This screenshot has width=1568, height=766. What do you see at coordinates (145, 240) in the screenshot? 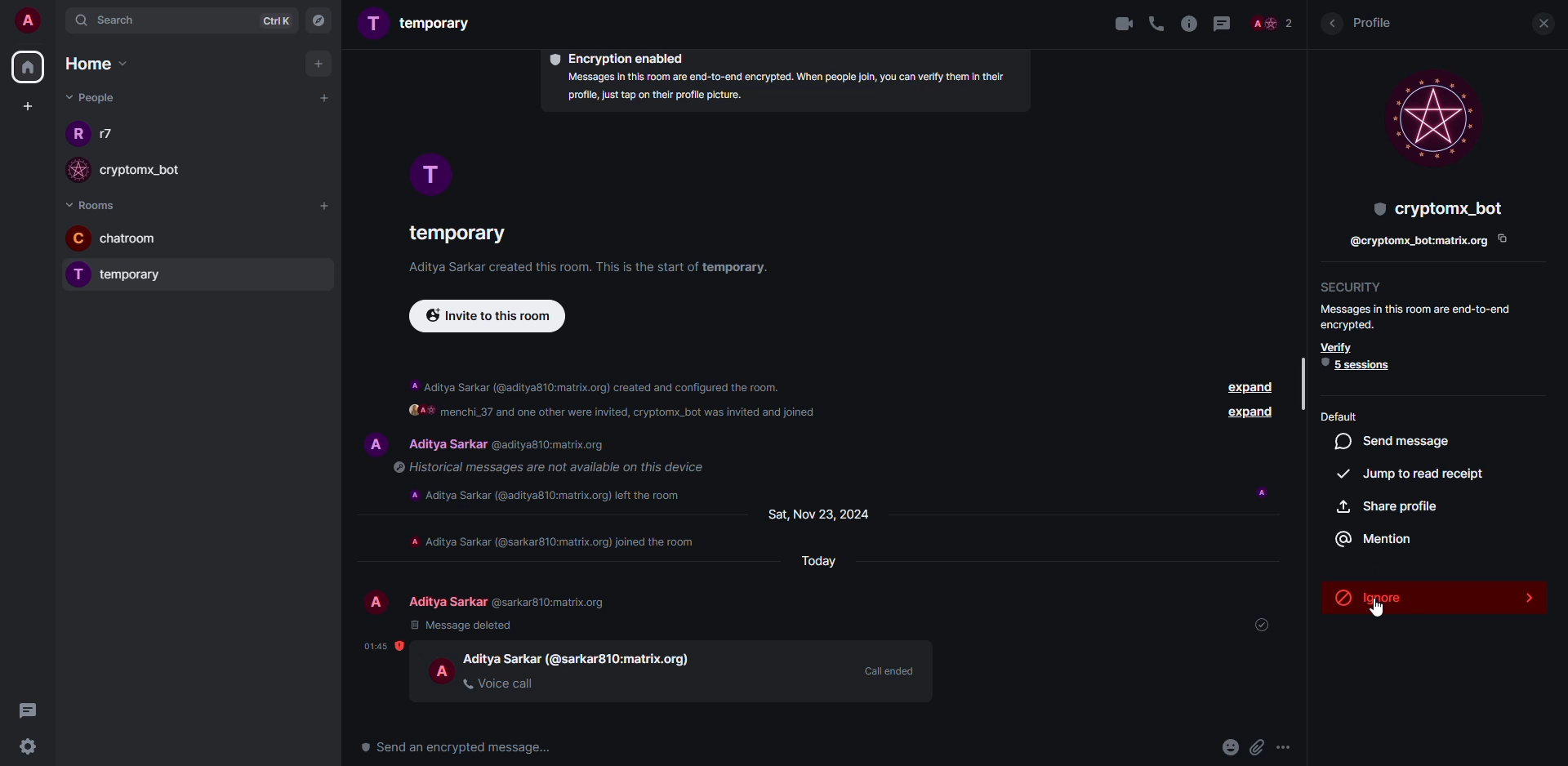
I see `room` at bounding box center [145, 240].